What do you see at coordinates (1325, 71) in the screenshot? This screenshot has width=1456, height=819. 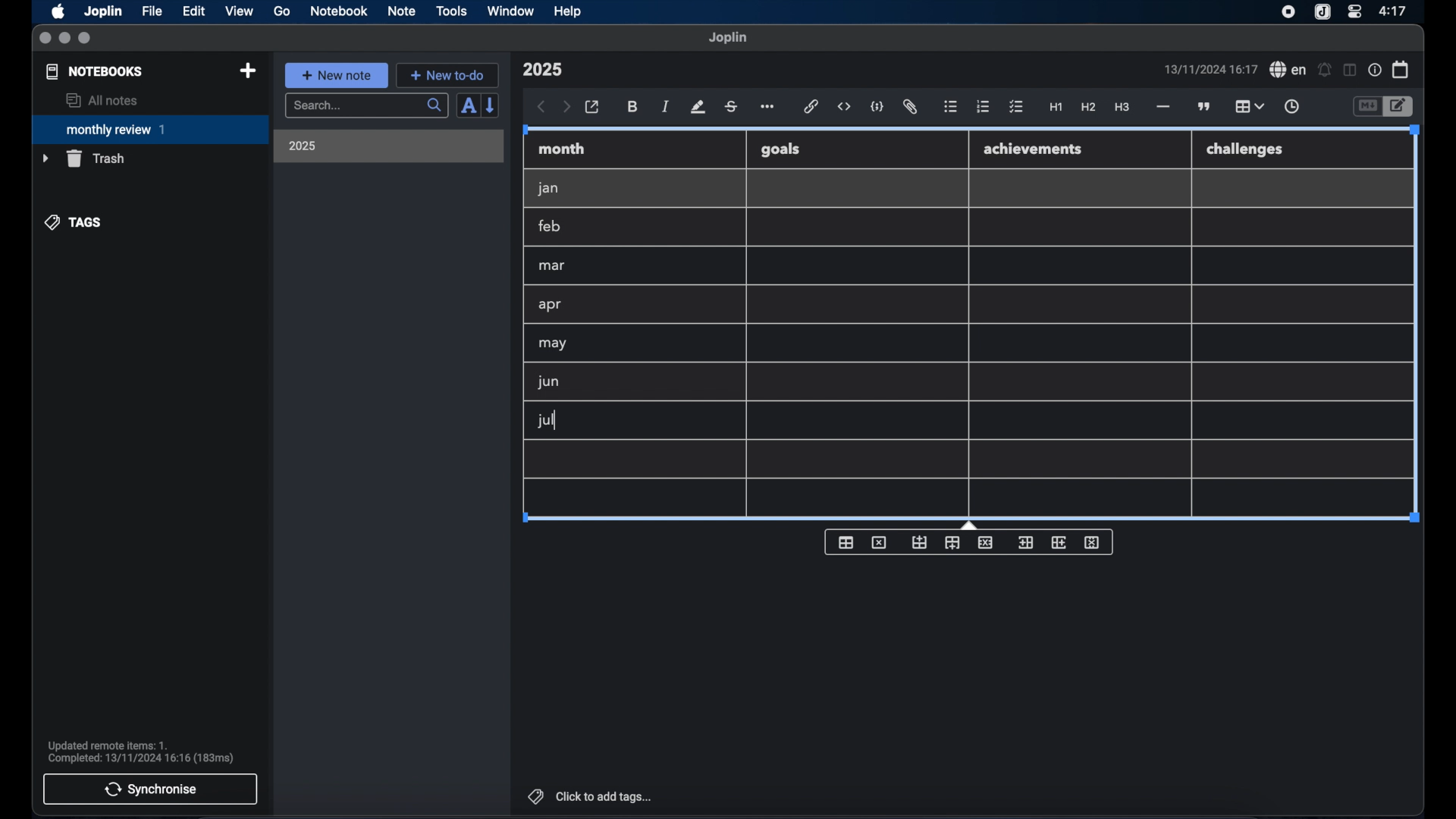 I see `set alarm` at bounding box center [1325, 71].